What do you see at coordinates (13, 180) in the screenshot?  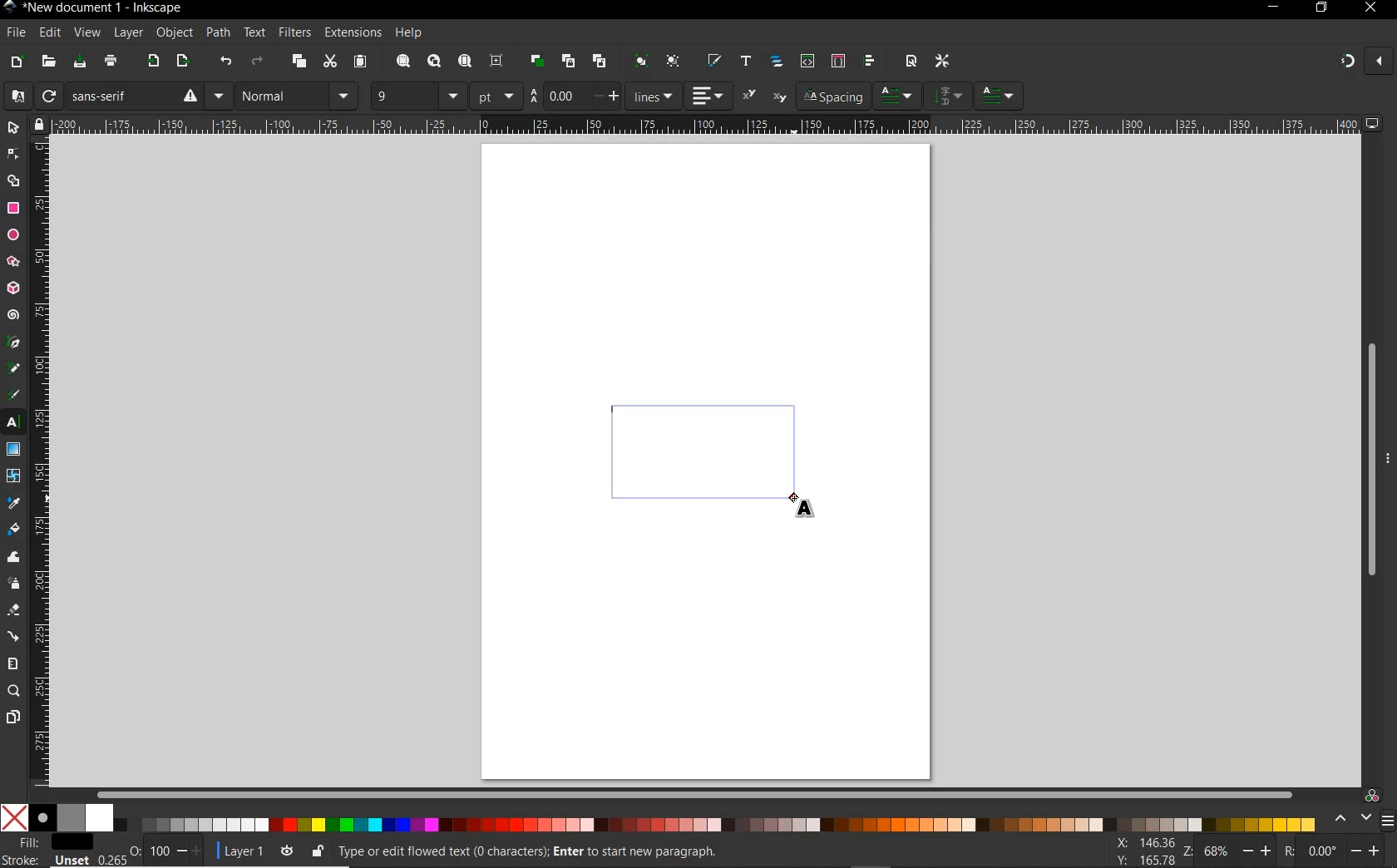 I see `shape builder tool` at bounding box center [13, 180].